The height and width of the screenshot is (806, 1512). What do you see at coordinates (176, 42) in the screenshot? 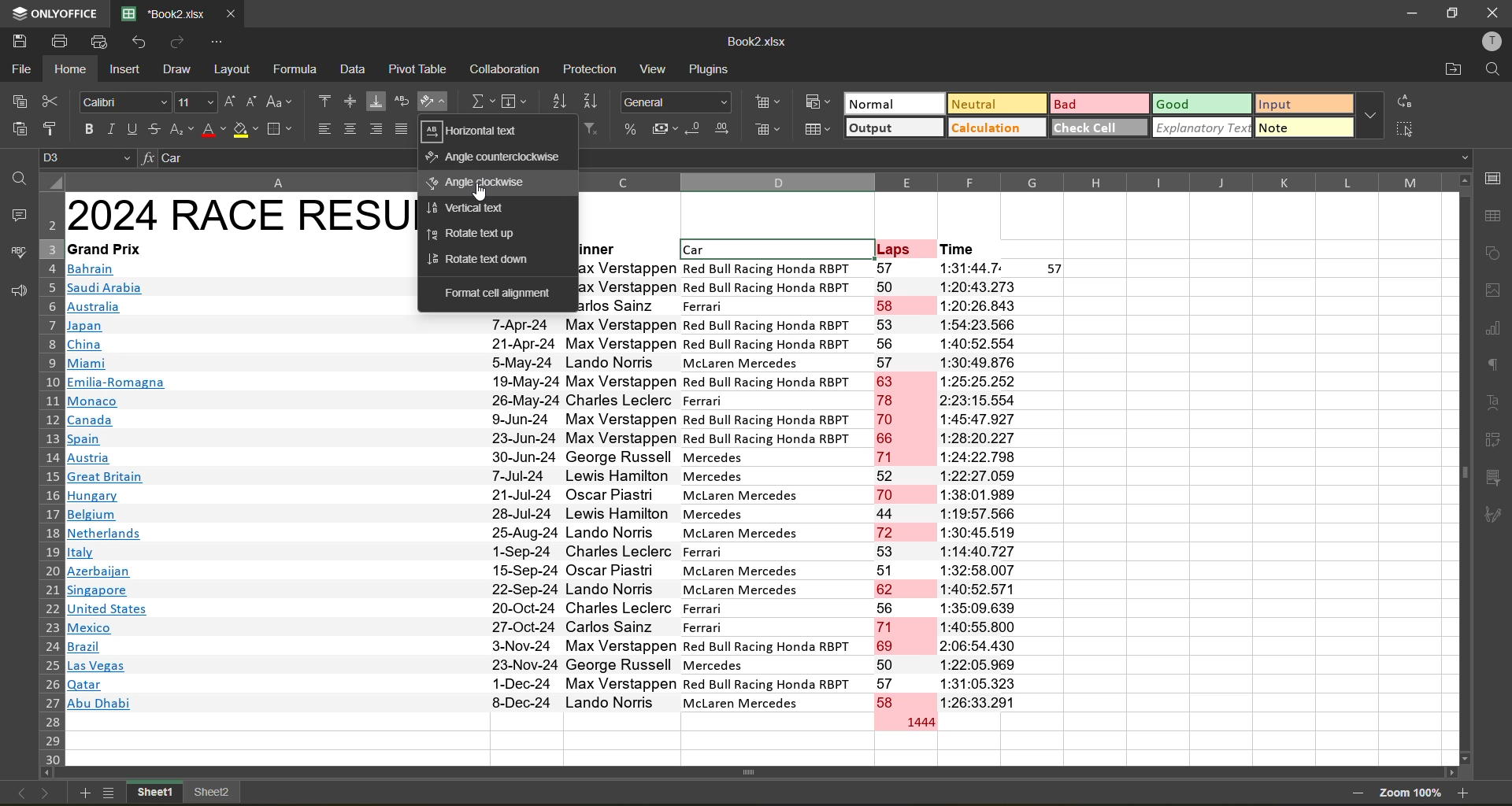
I see `redo` at bounding box center [176, 42].